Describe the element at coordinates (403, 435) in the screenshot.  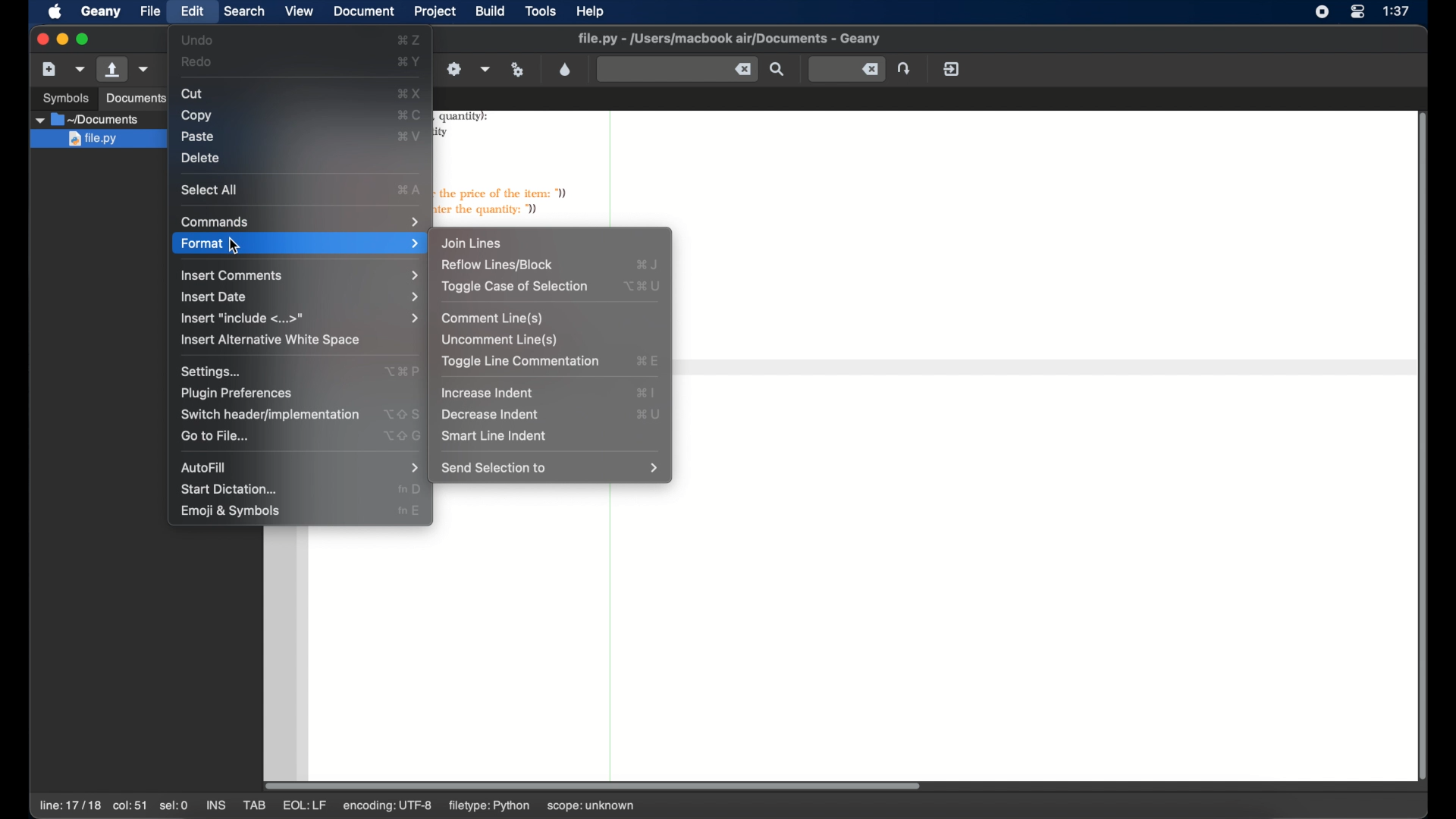
I see `go to file shortcut` at that location.